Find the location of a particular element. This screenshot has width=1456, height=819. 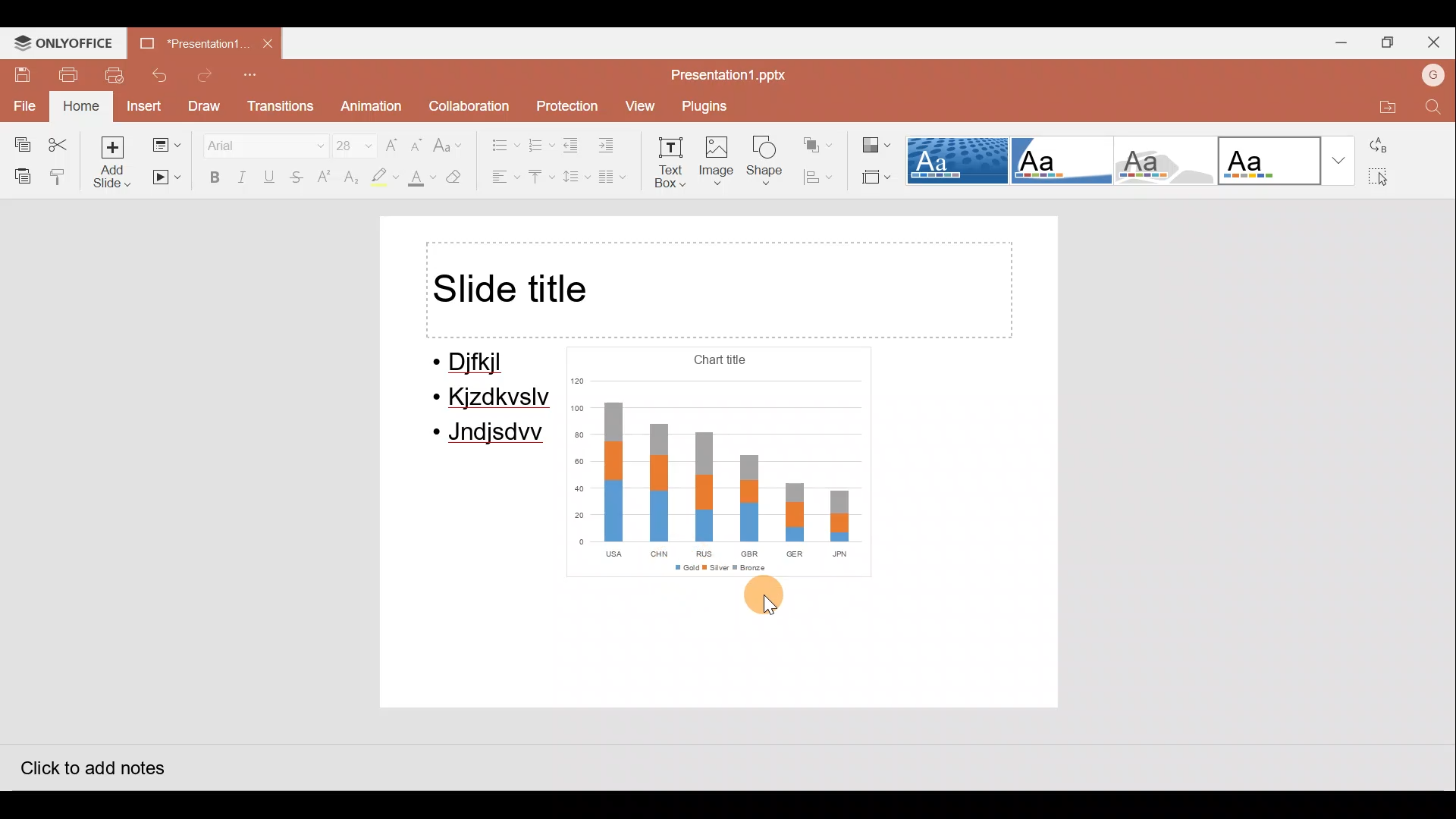

Transitions is located at coordinates (279, 107).